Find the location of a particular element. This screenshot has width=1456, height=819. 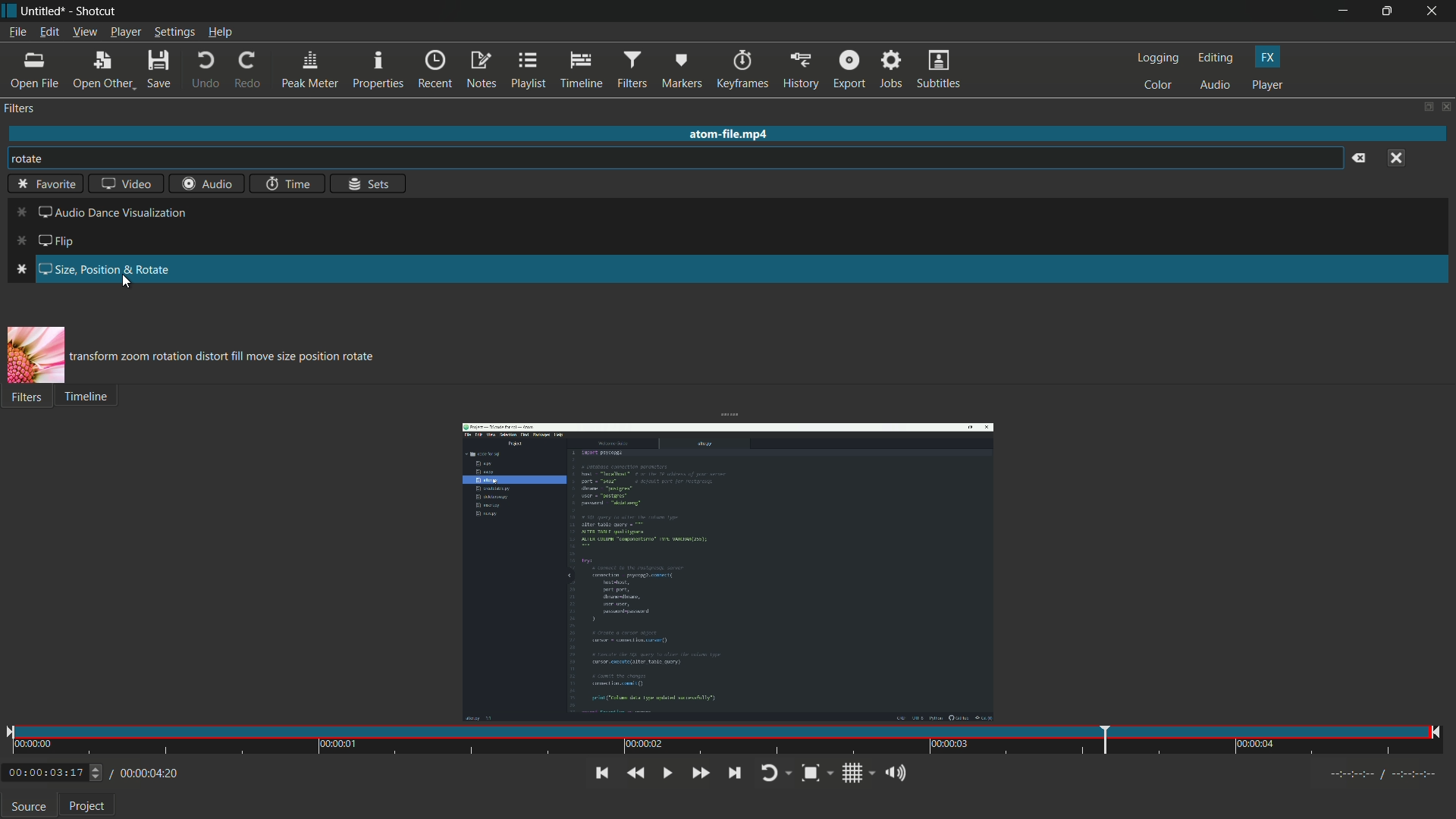

redo is located at coordinates (248, 71).